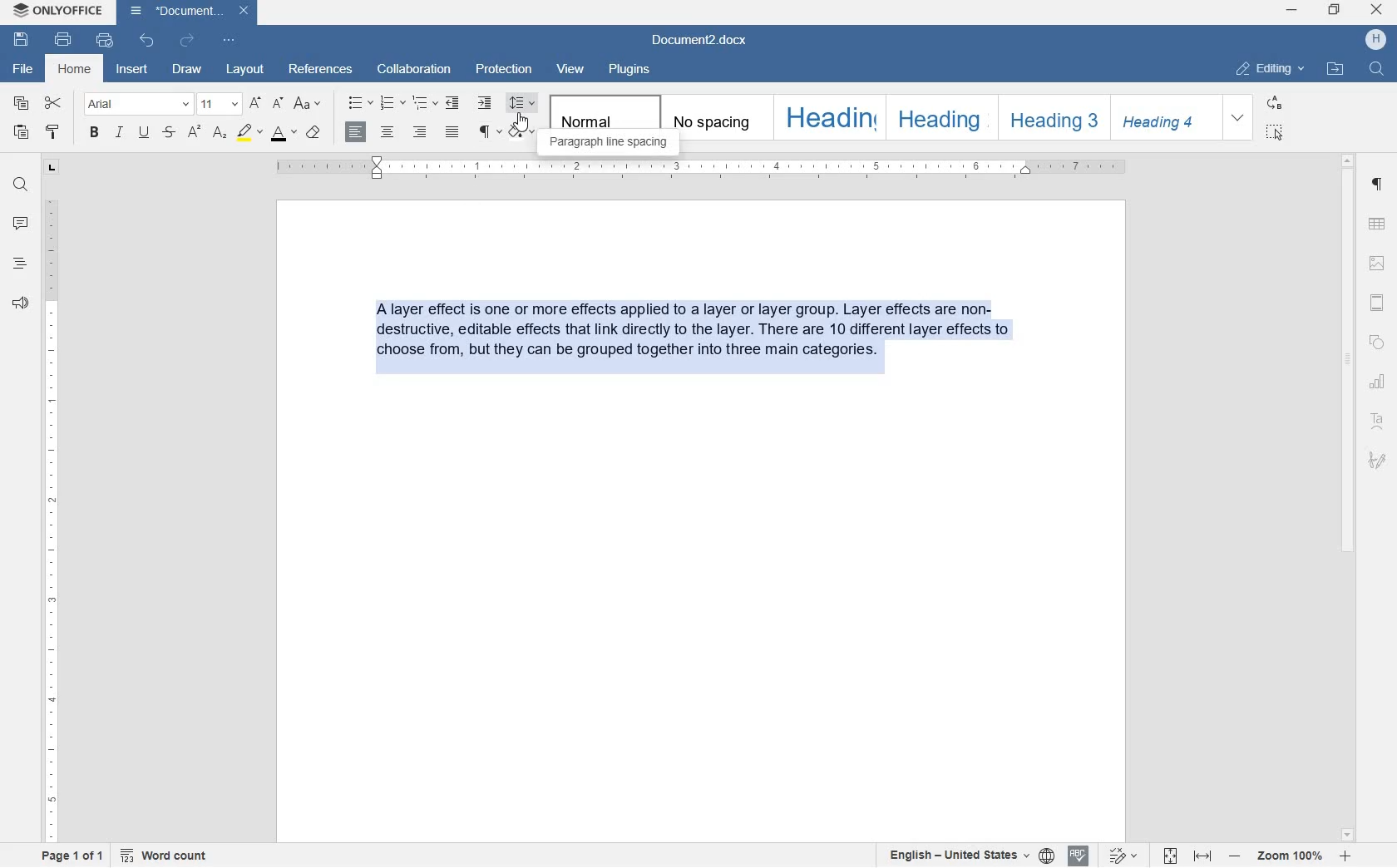  Describe the element at coordinates (76, 70) in the screenshot. I see `home` at that location.